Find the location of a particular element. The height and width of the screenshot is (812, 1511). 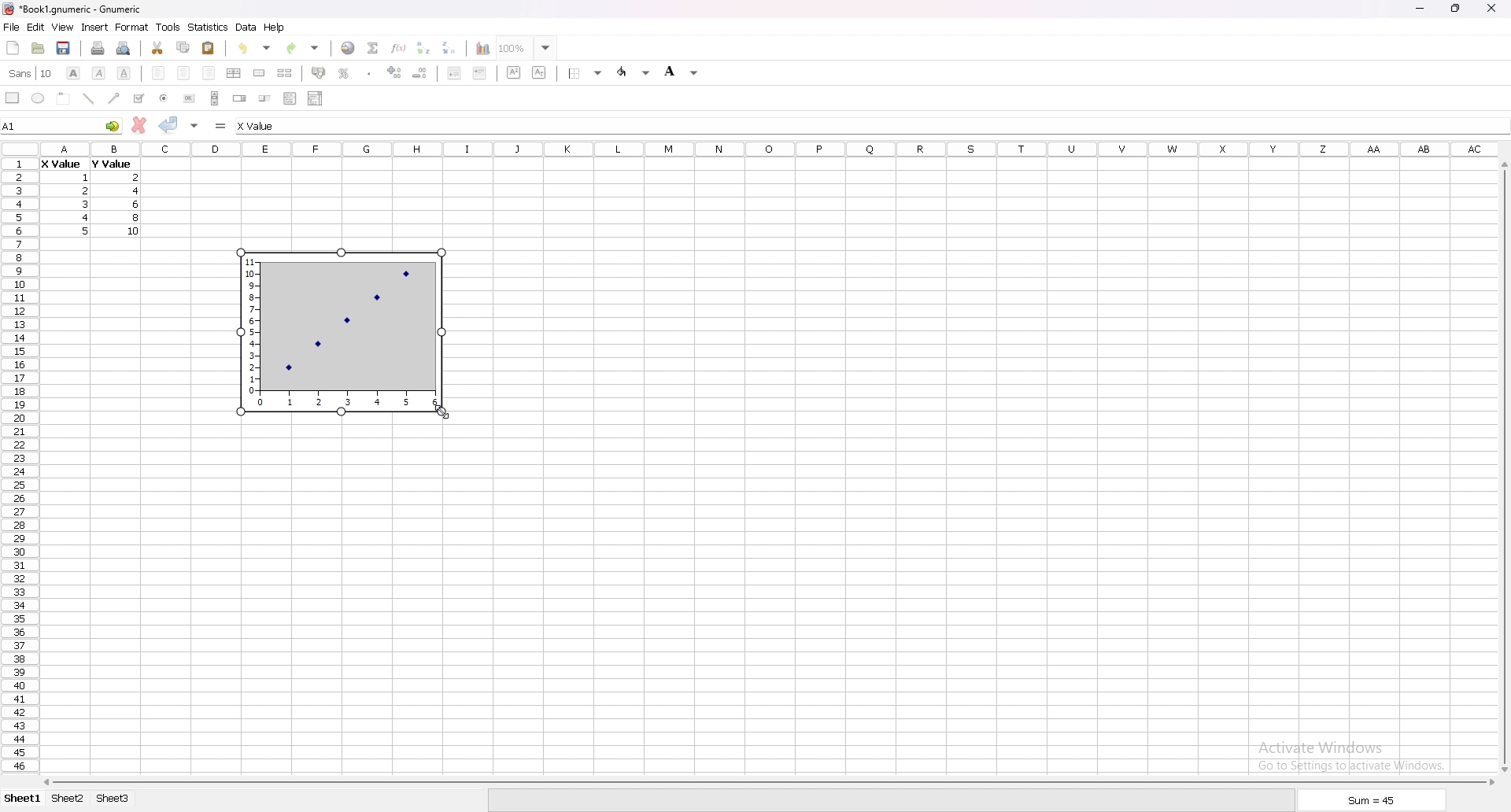

ellipse is located at coordinates (38, 98).